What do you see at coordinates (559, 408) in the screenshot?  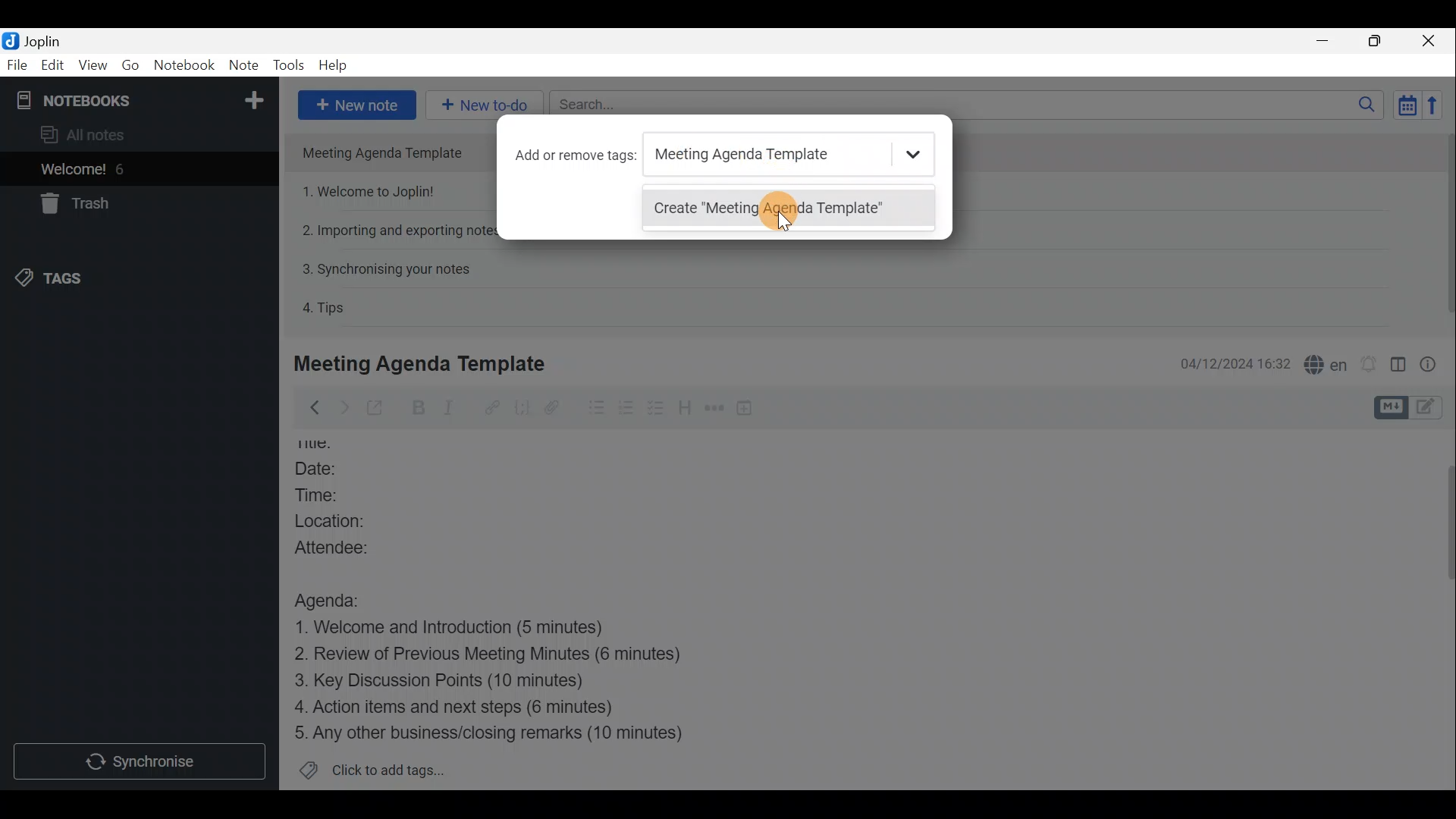 I see `Attach file` at bounding box center [559, 408].